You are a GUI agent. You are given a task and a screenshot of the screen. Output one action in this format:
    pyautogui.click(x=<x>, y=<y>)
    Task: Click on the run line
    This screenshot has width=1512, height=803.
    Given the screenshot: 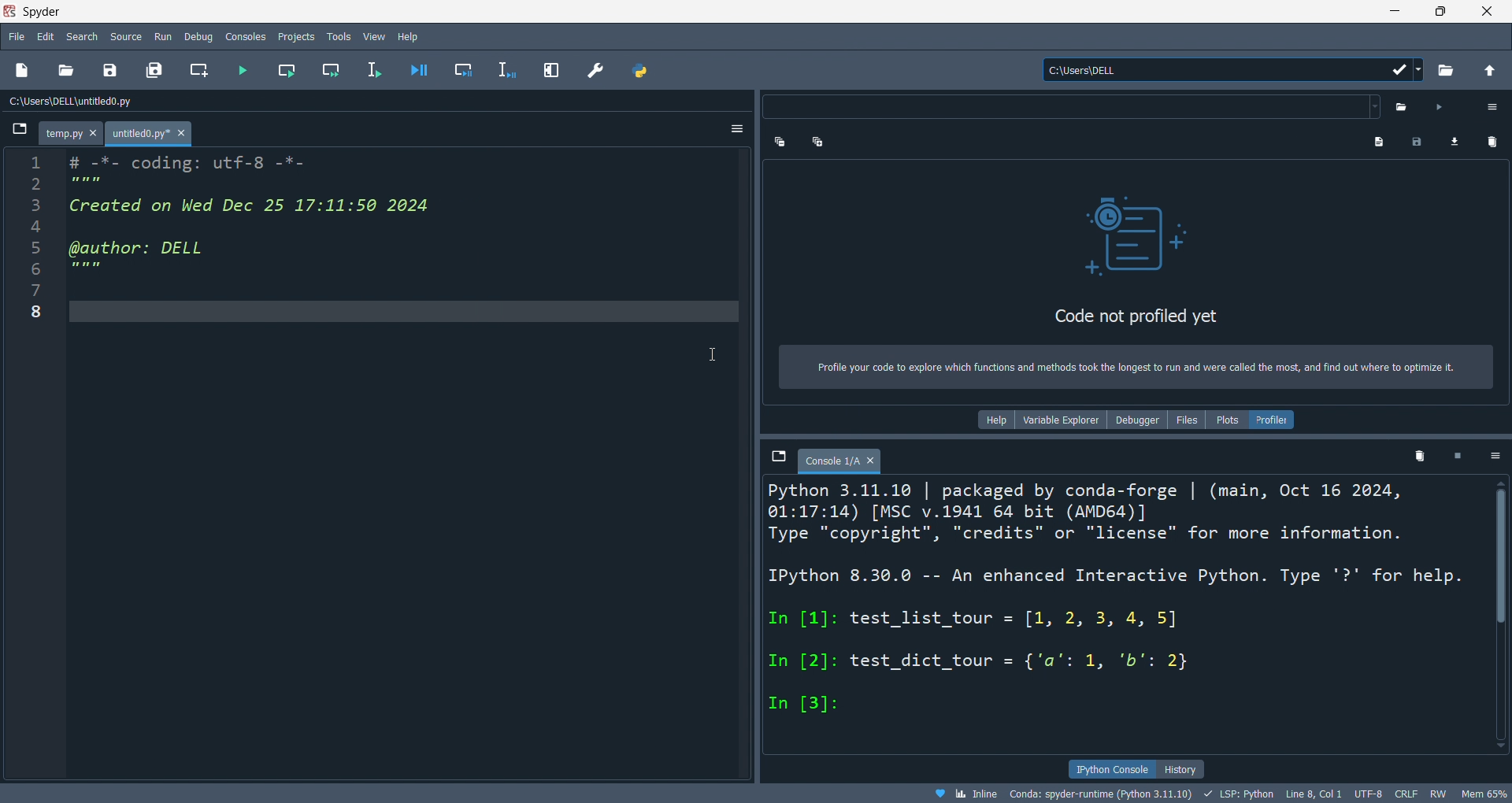 What is the action you would take?
    pyautogui.click(x=378, y=69)
    